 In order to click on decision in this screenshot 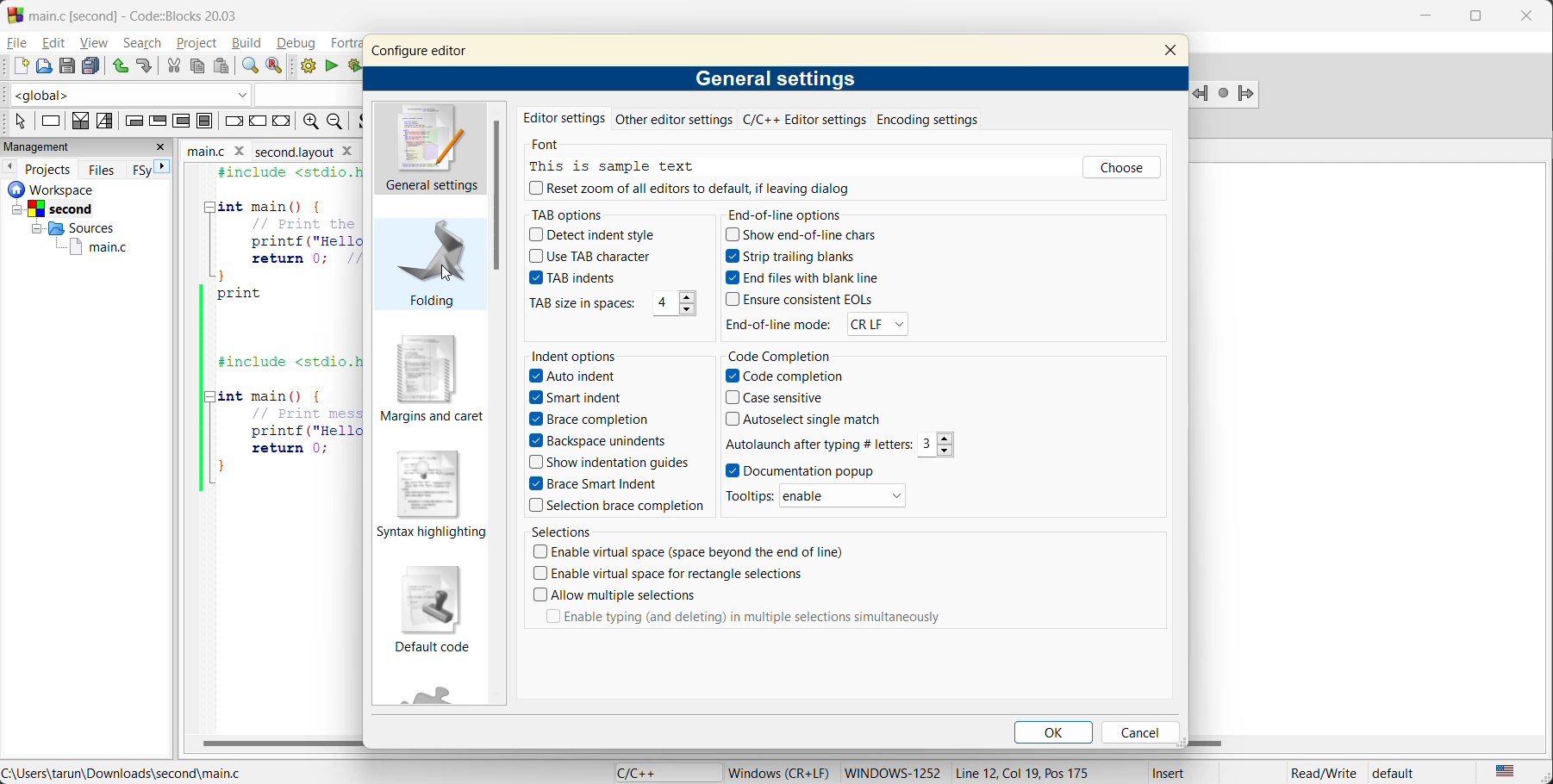, I will do `click(82, 121)`.